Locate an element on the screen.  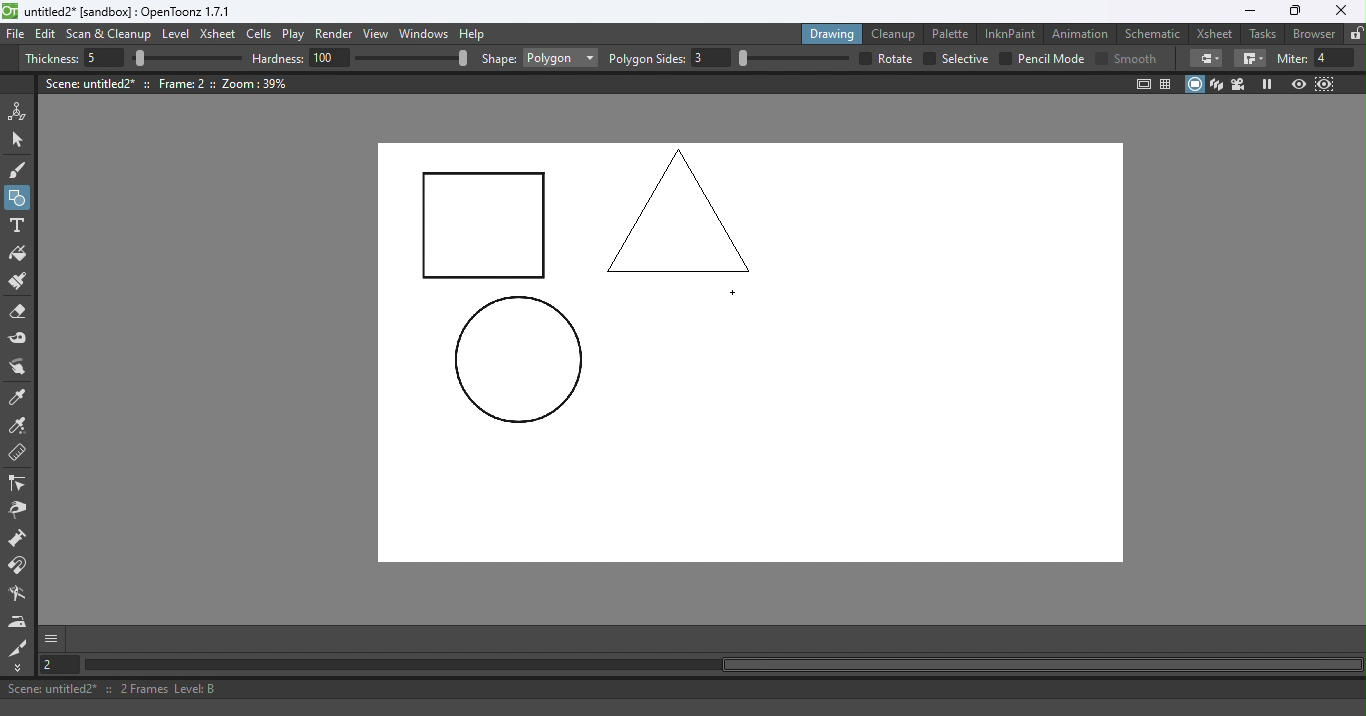
checkbox is located at coordinates (1005, 58).